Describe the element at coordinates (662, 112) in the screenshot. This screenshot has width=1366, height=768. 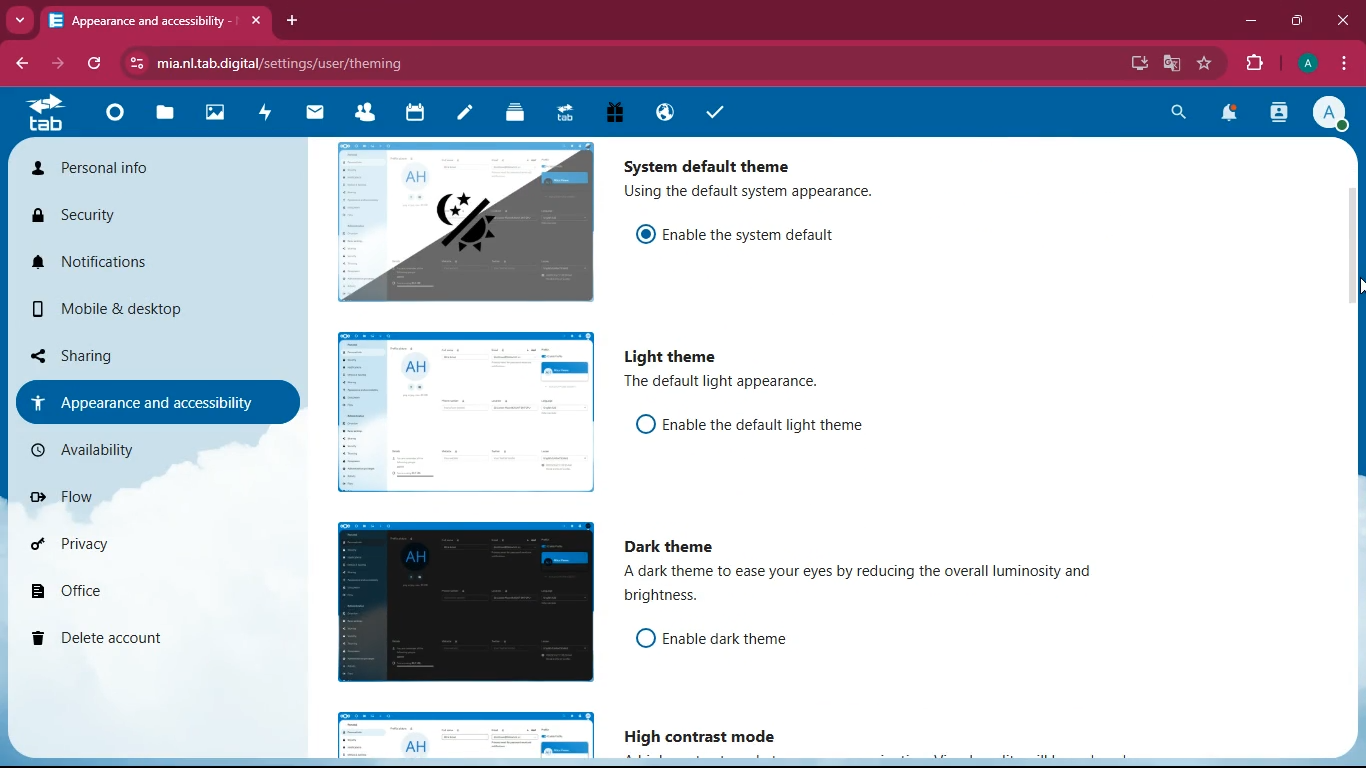
I see `public` at that location.